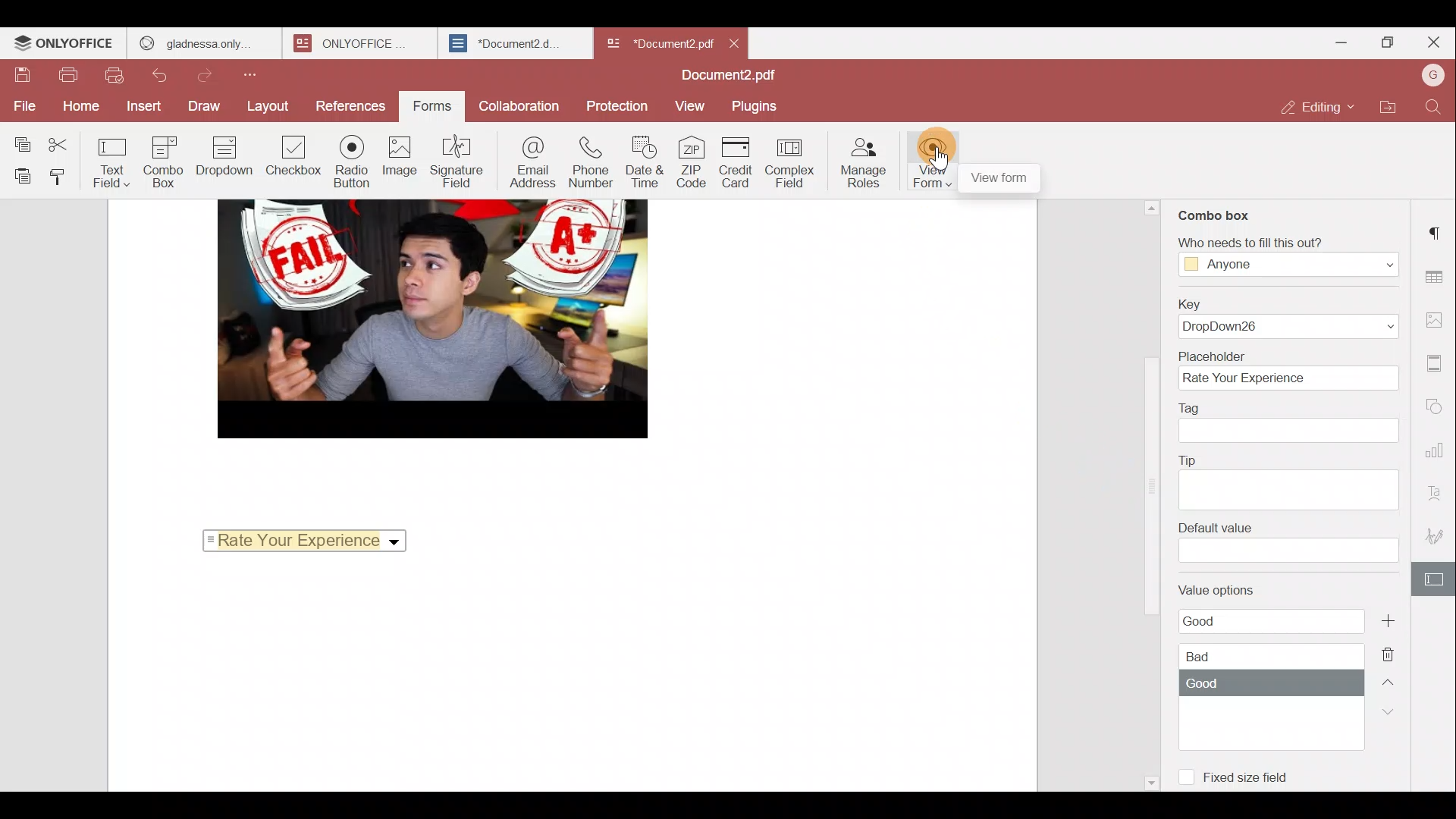  Describe the element at coordinates (114, 76) in the screenshot. I see `Quick print` at that location.